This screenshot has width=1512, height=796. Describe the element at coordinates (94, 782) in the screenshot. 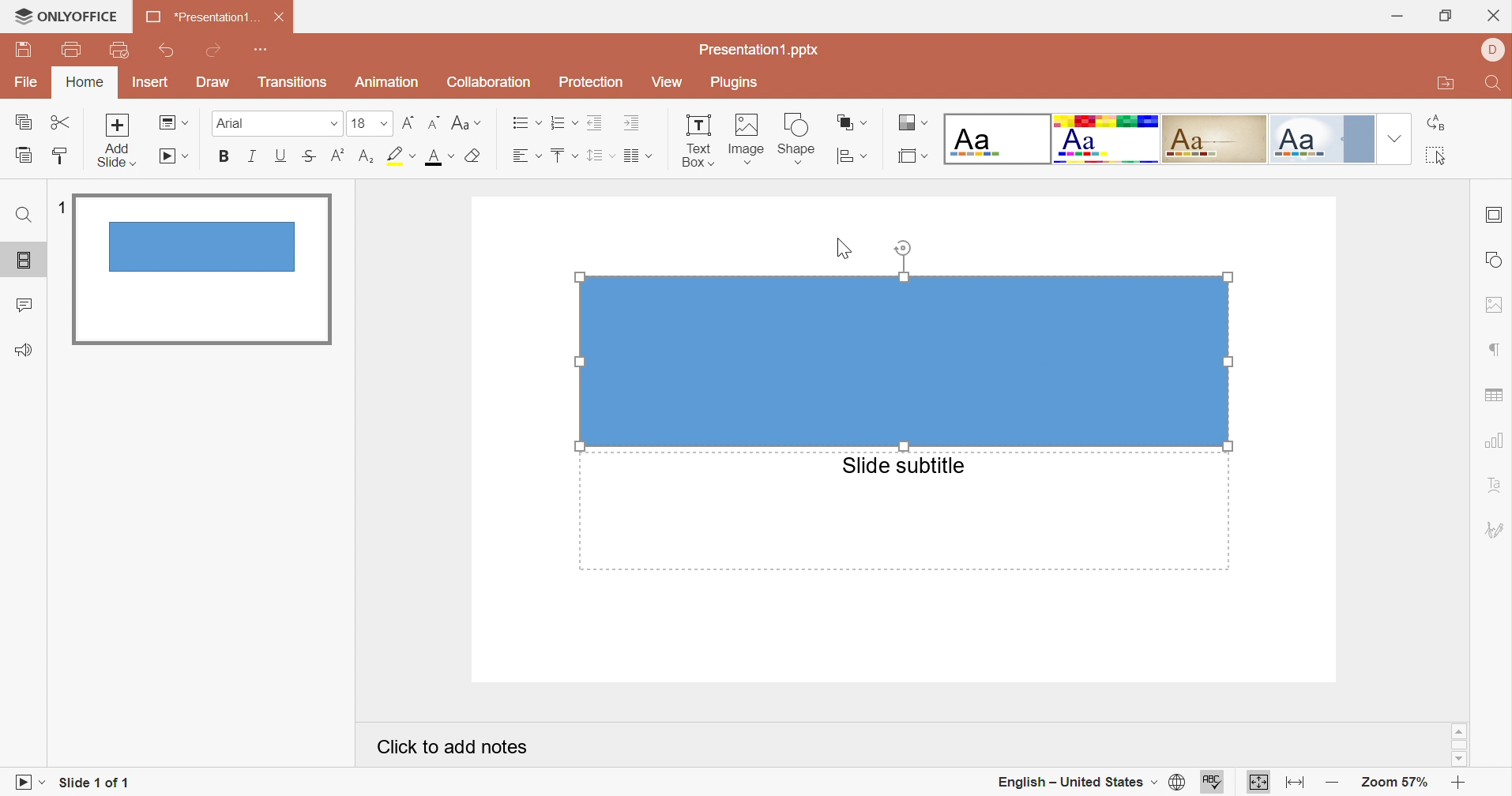

I see `Slide 1 of 1` at that location.